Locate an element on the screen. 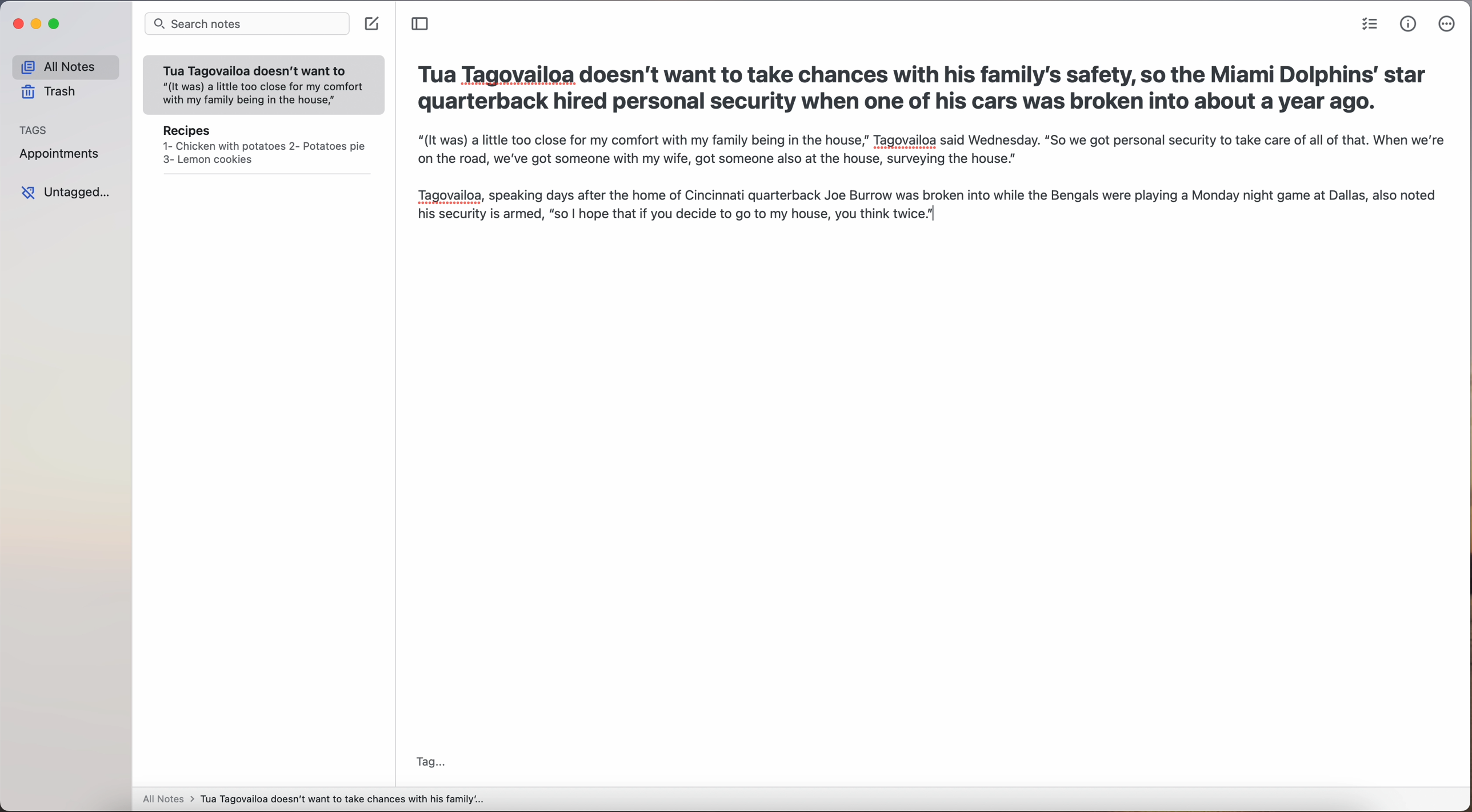 Image resolution: width=1472 pixels, height=812 pixels. minimize Simplenote is located at coordinates (38, 25).